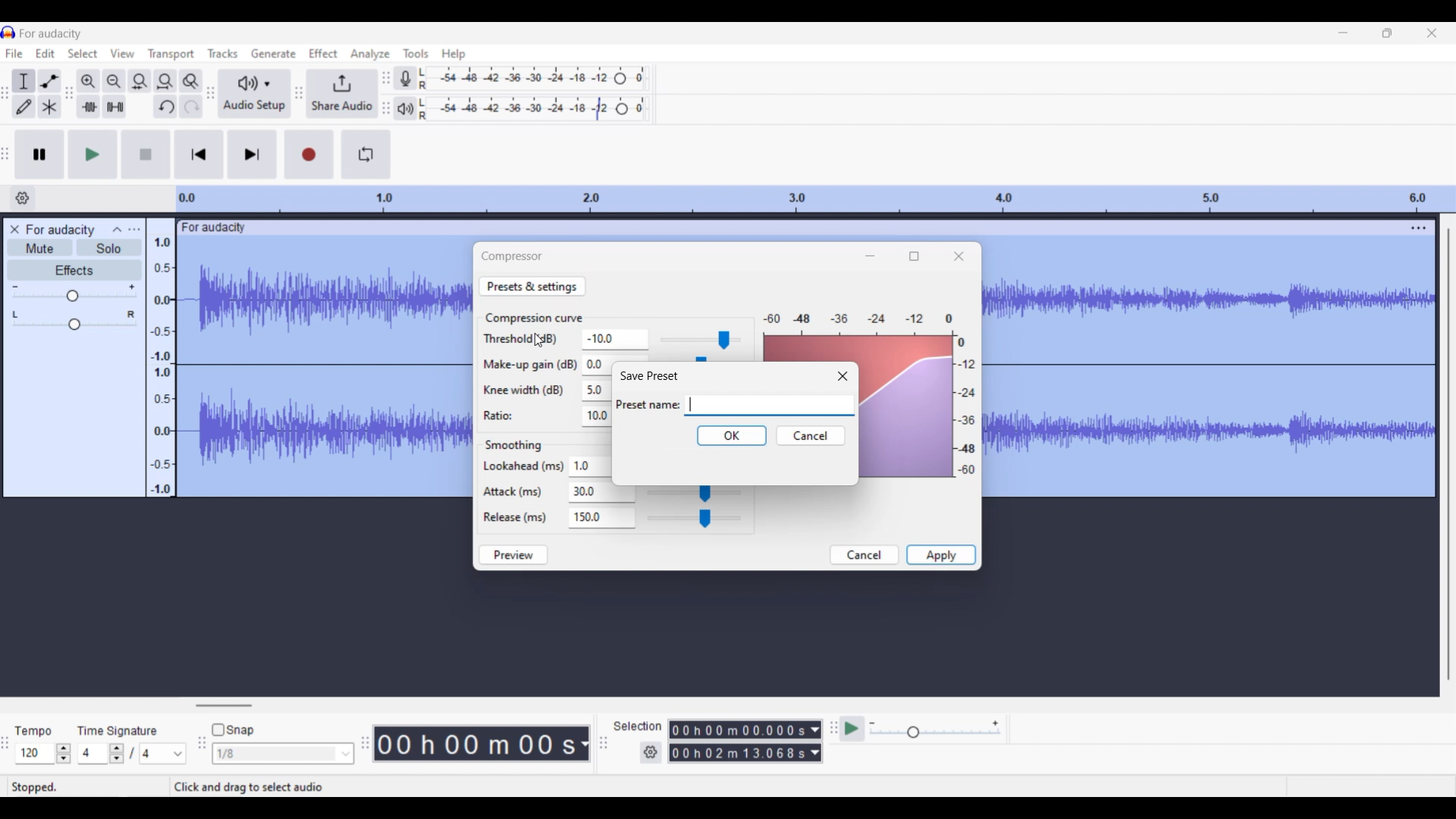 The image size is (1456, 819). What do you see at coordinates (693, 494) in the screenshot?
I see `Attack slider` at bounding box center [693, 494].